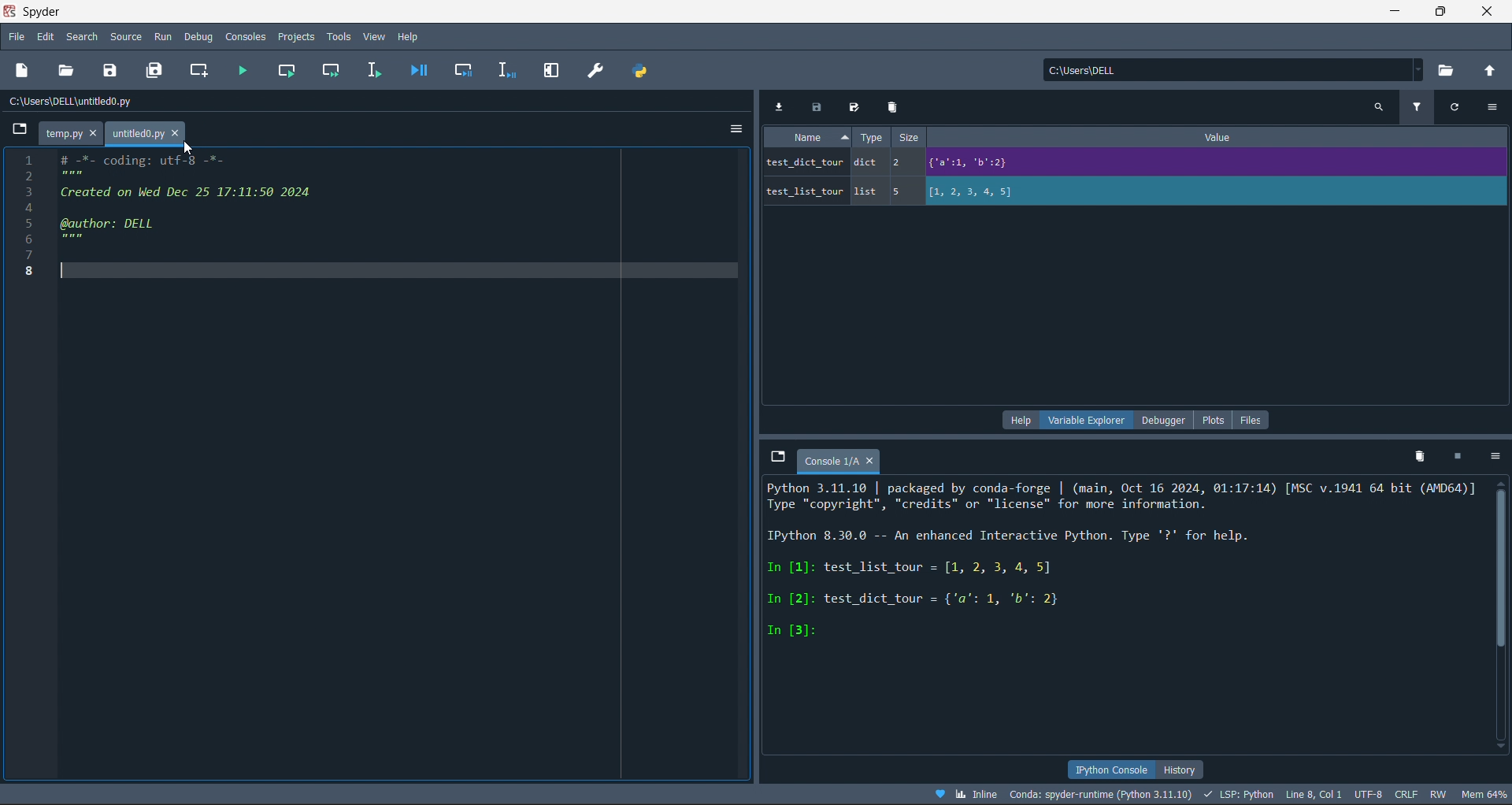  What do you see at coordinates (243, 36) in the screenshot?
I see `consoles` at bounding box center [243, 36].